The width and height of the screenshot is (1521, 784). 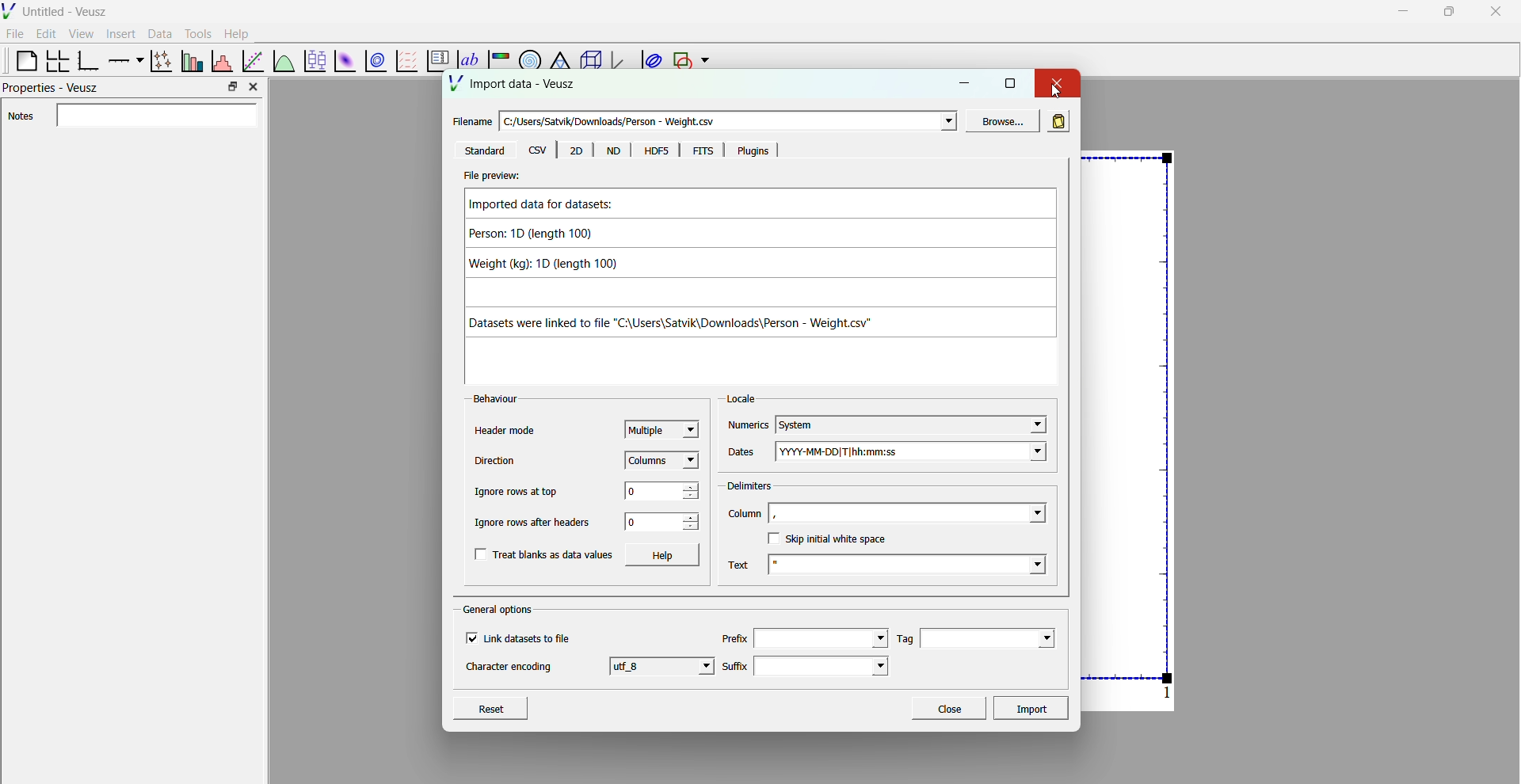 I want to click on add an axis to a plot, so click(x=124, y=59).